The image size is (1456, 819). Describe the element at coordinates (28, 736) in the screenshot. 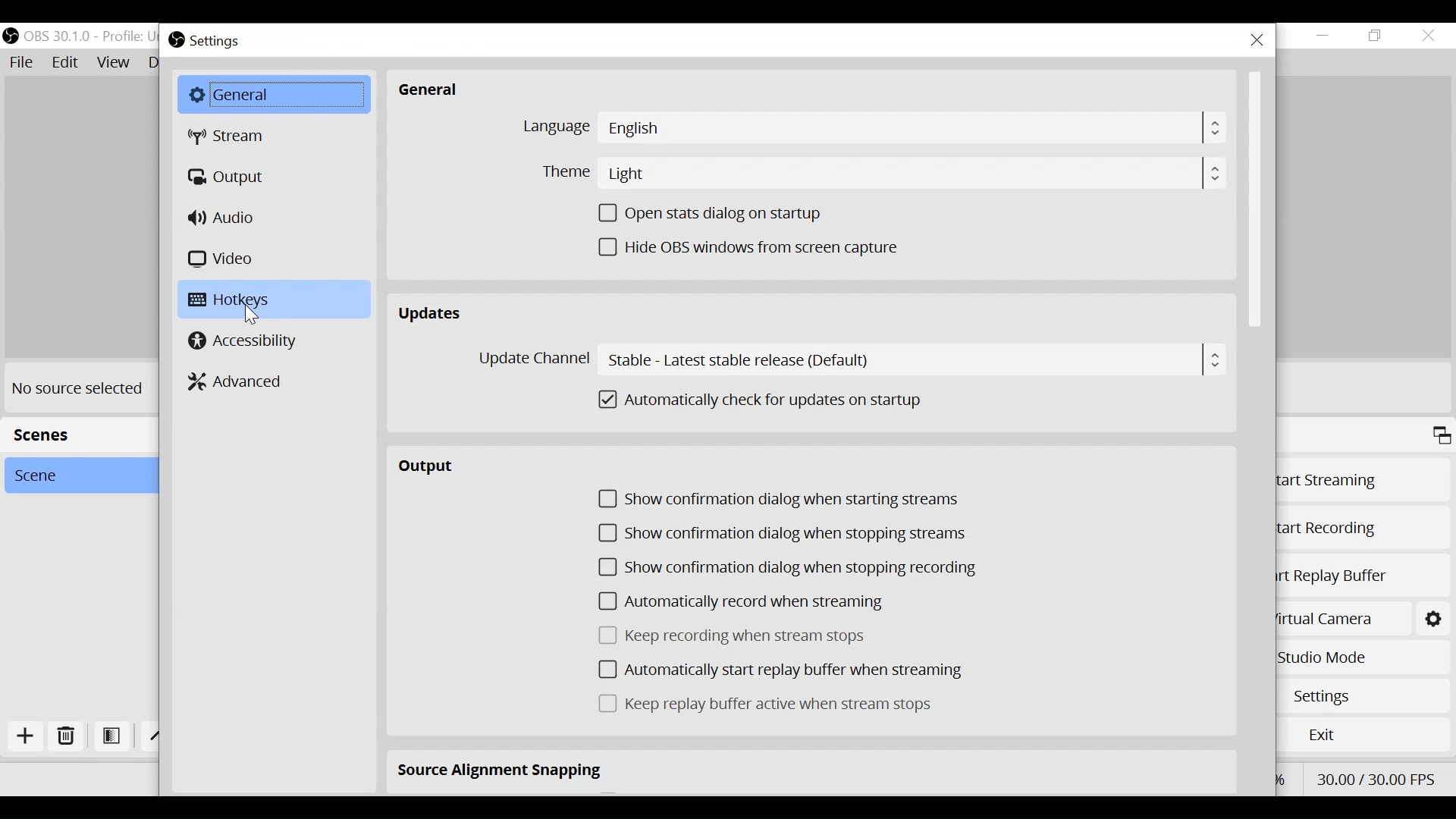

I see `Add` at that location.